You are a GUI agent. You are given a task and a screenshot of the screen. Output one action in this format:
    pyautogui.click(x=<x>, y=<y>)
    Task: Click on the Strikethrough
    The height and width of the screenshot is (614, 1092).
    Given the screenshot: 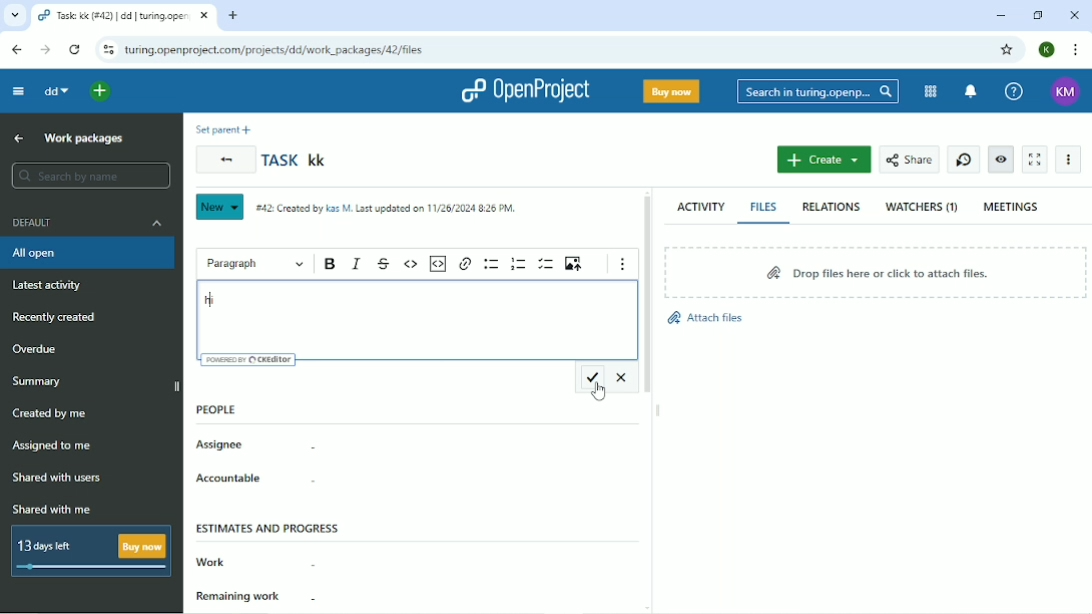 What is the action you would take?
    pyautogui.click(x=385, y=264)
    